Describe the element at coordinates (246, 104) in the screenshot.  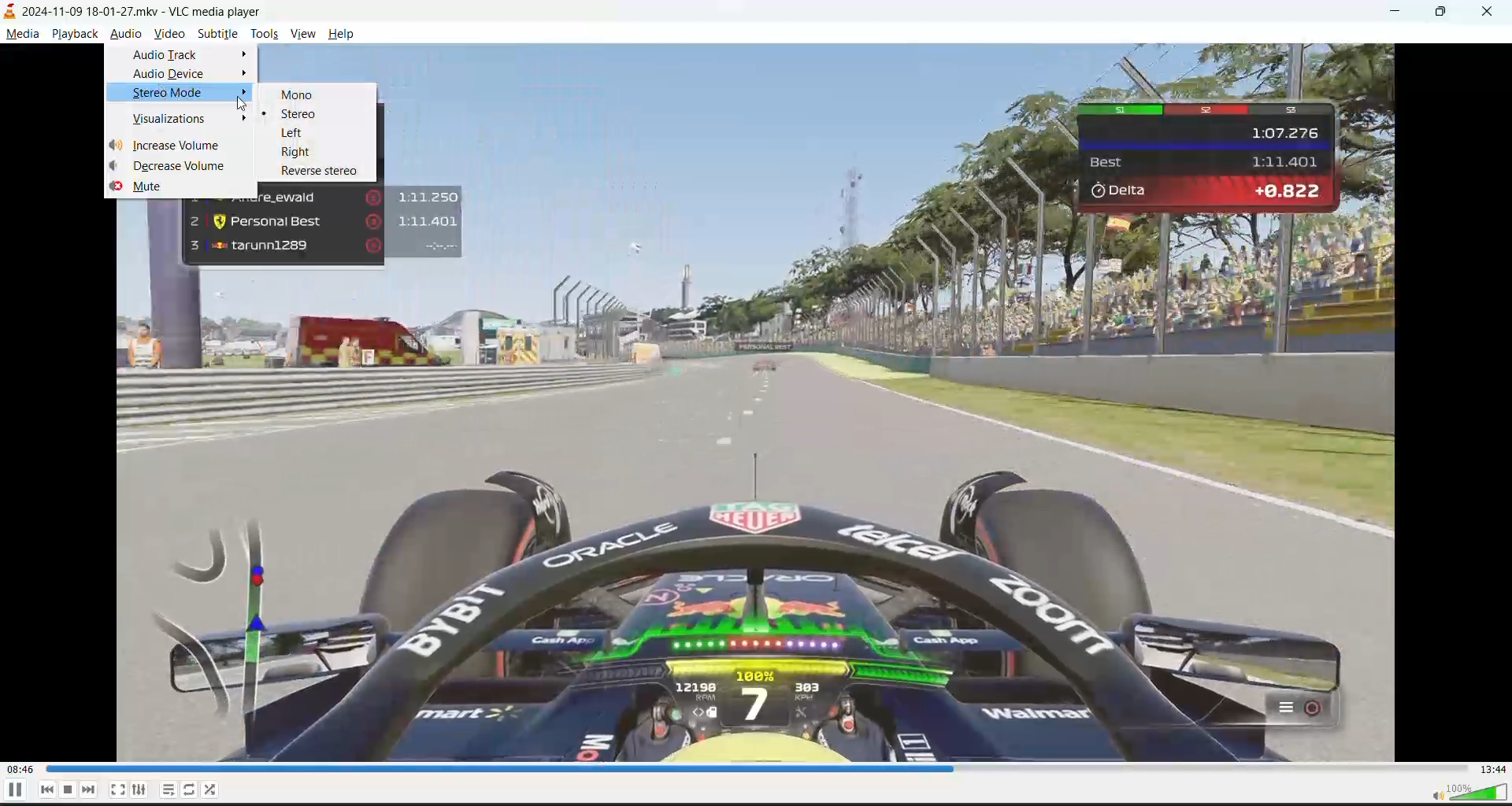
I see `cursor` at that location.